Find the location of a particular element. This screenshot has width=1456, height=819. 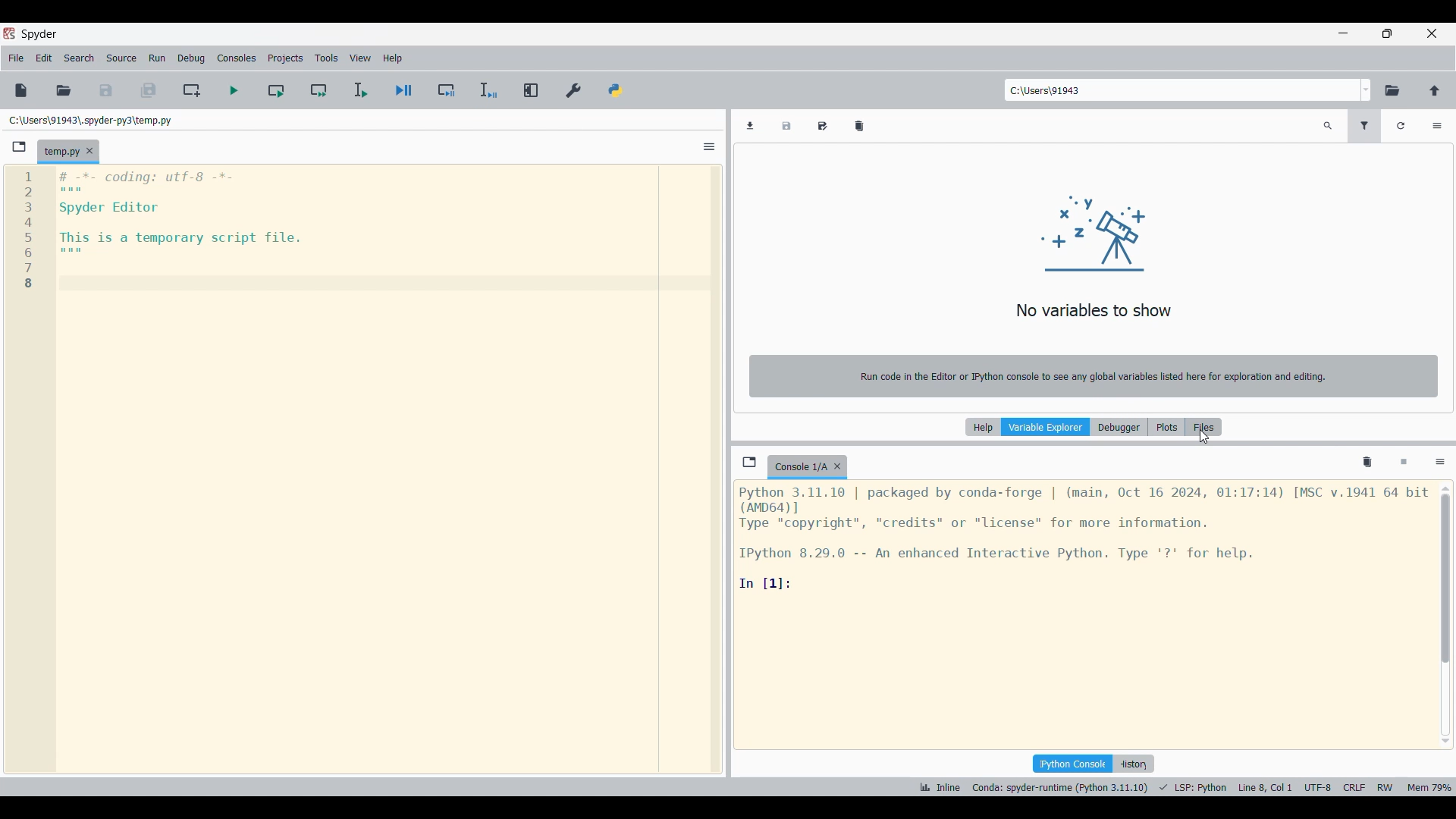

Edit menu is located at coordinates (44, 58).